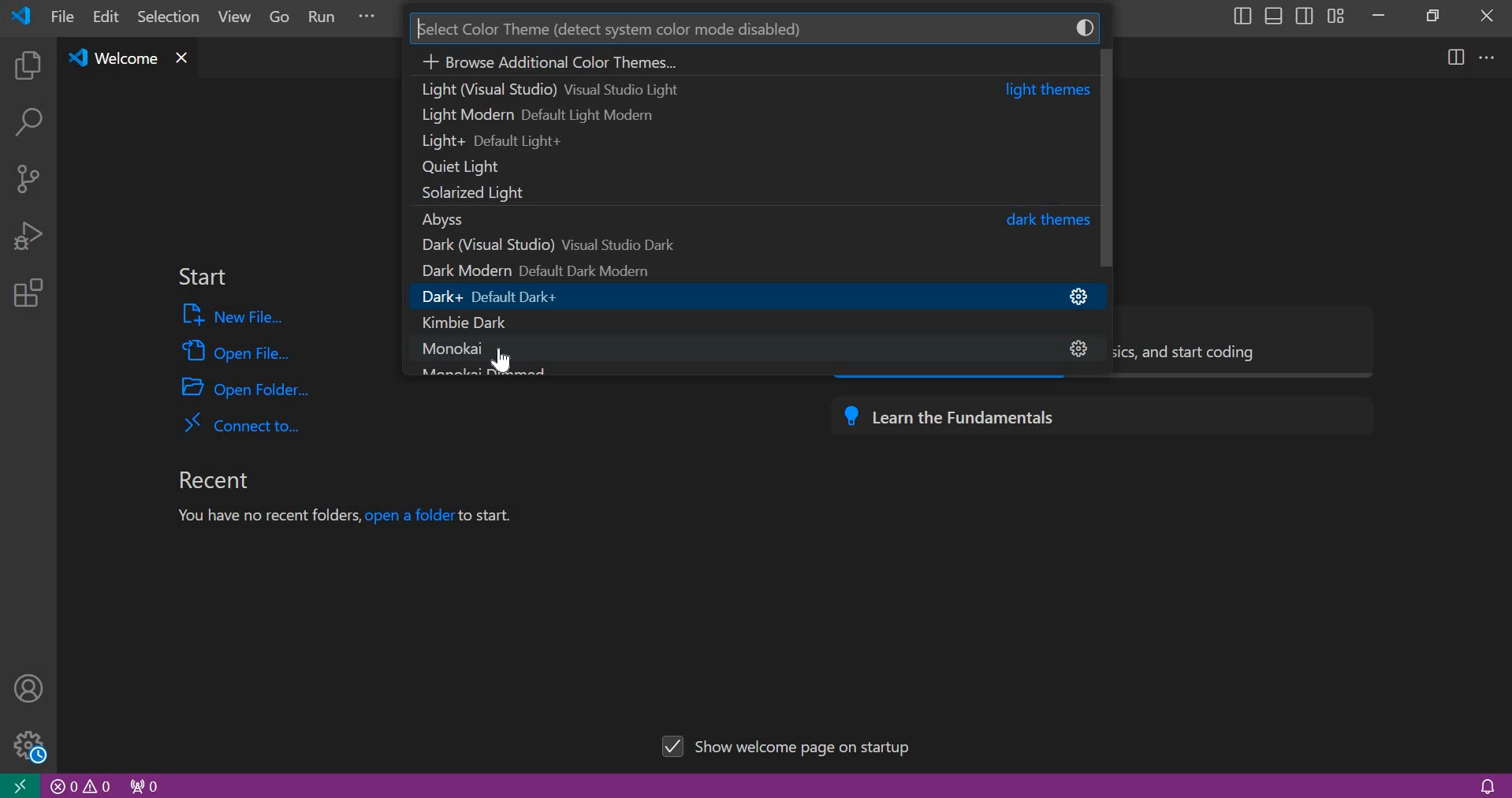 This screenshot has width=1512, height=798. I want to click on run, so click(324, 19).